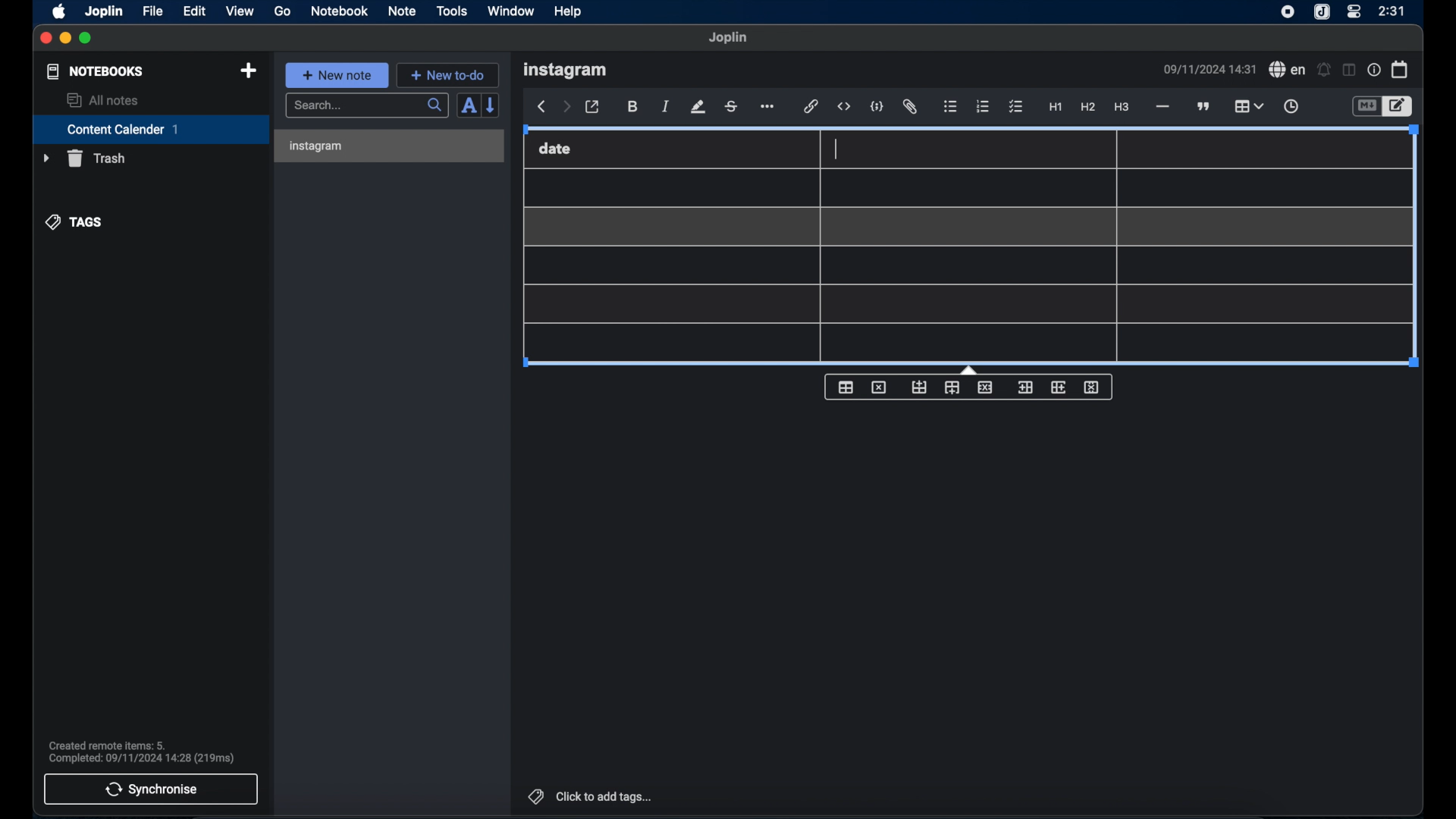  Describe the element at coordinates (96, 71) in the screenshot. I see `notebooks` at that location.